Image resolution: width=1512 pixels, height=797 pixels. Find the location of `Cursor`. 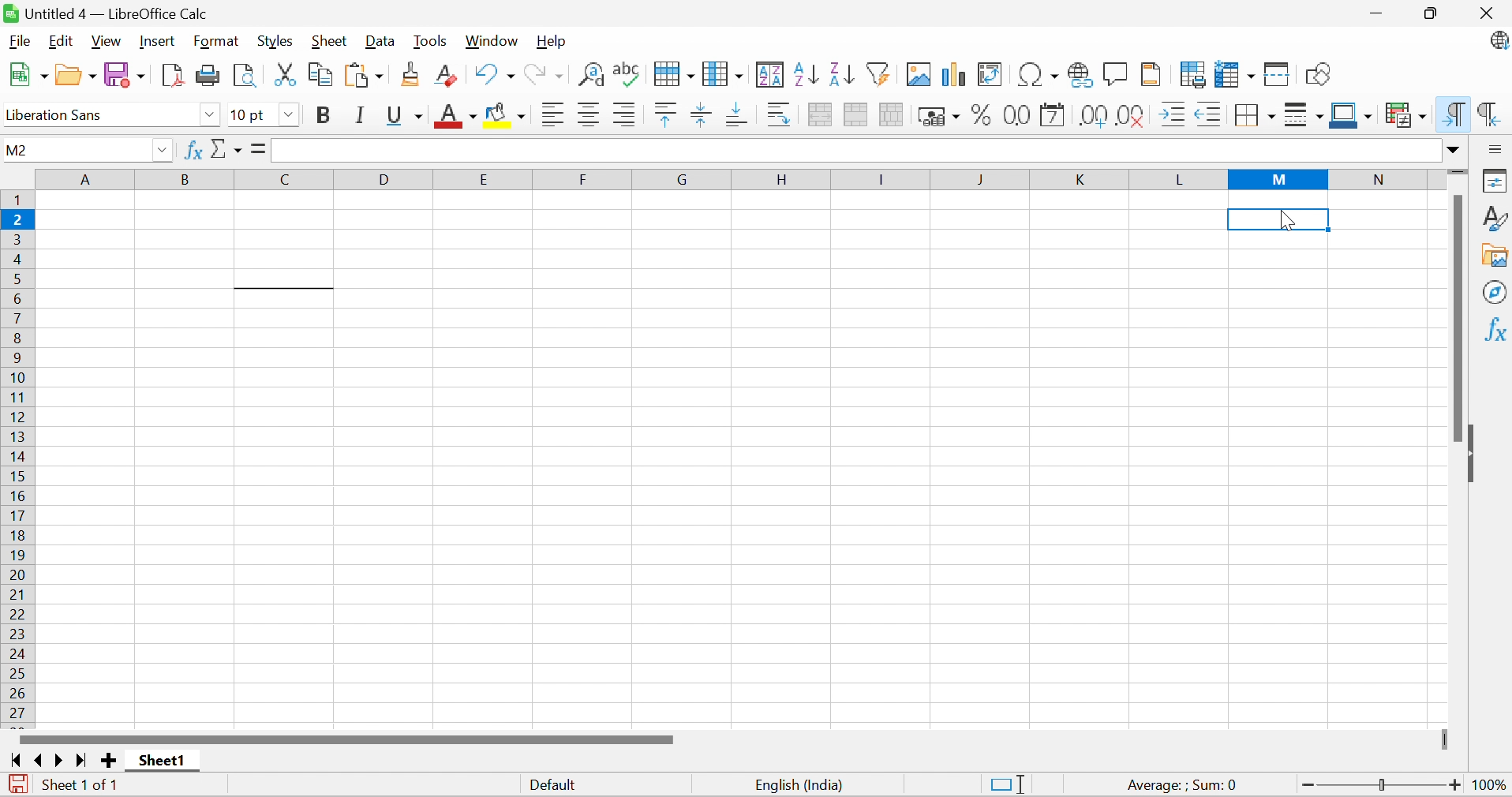

Cursor is located at coordinates (1286, 219).